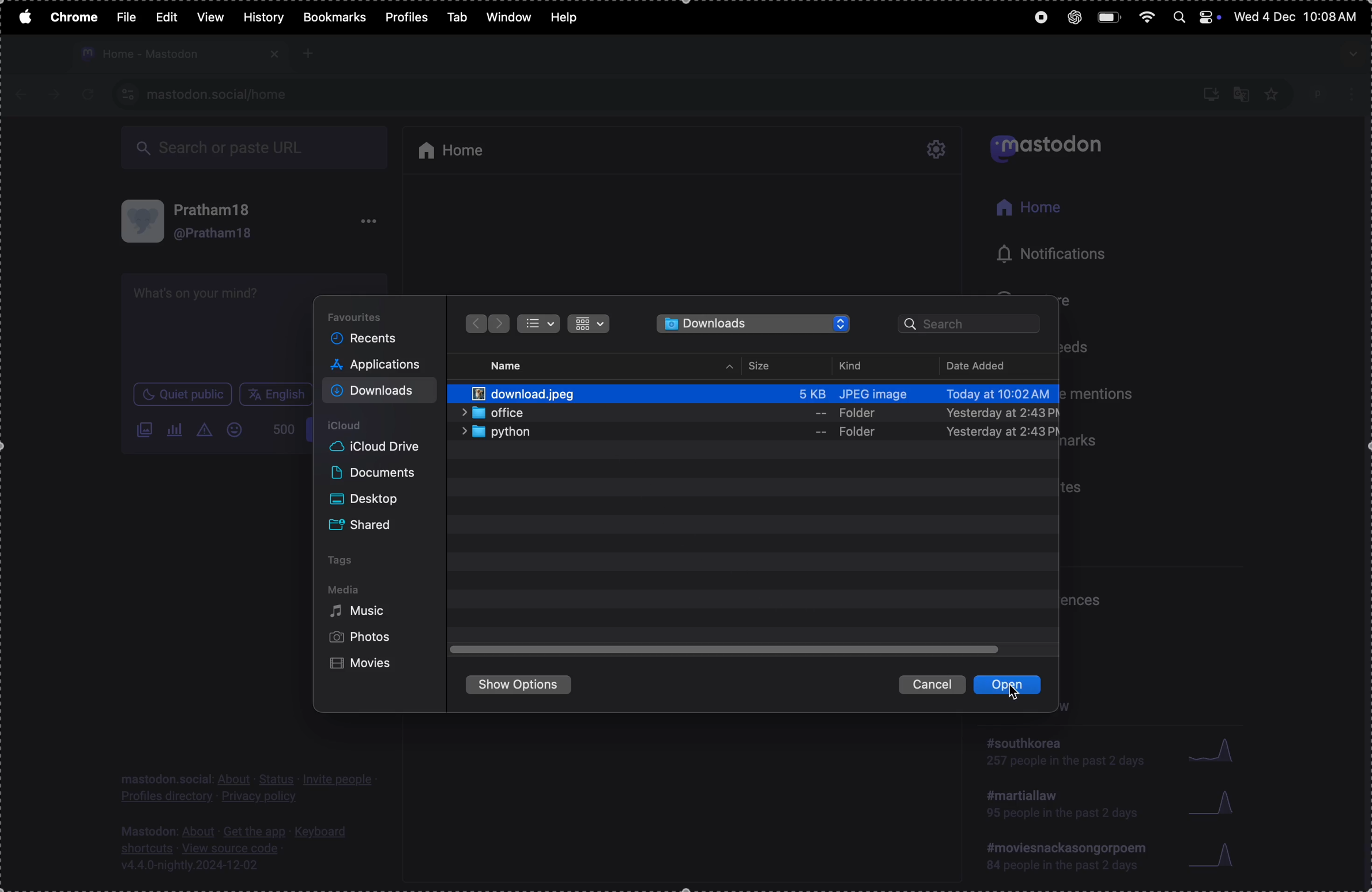  Describe the element at coordinates (383, 447) in the screenshot. I see `i cloud drive` at that location.